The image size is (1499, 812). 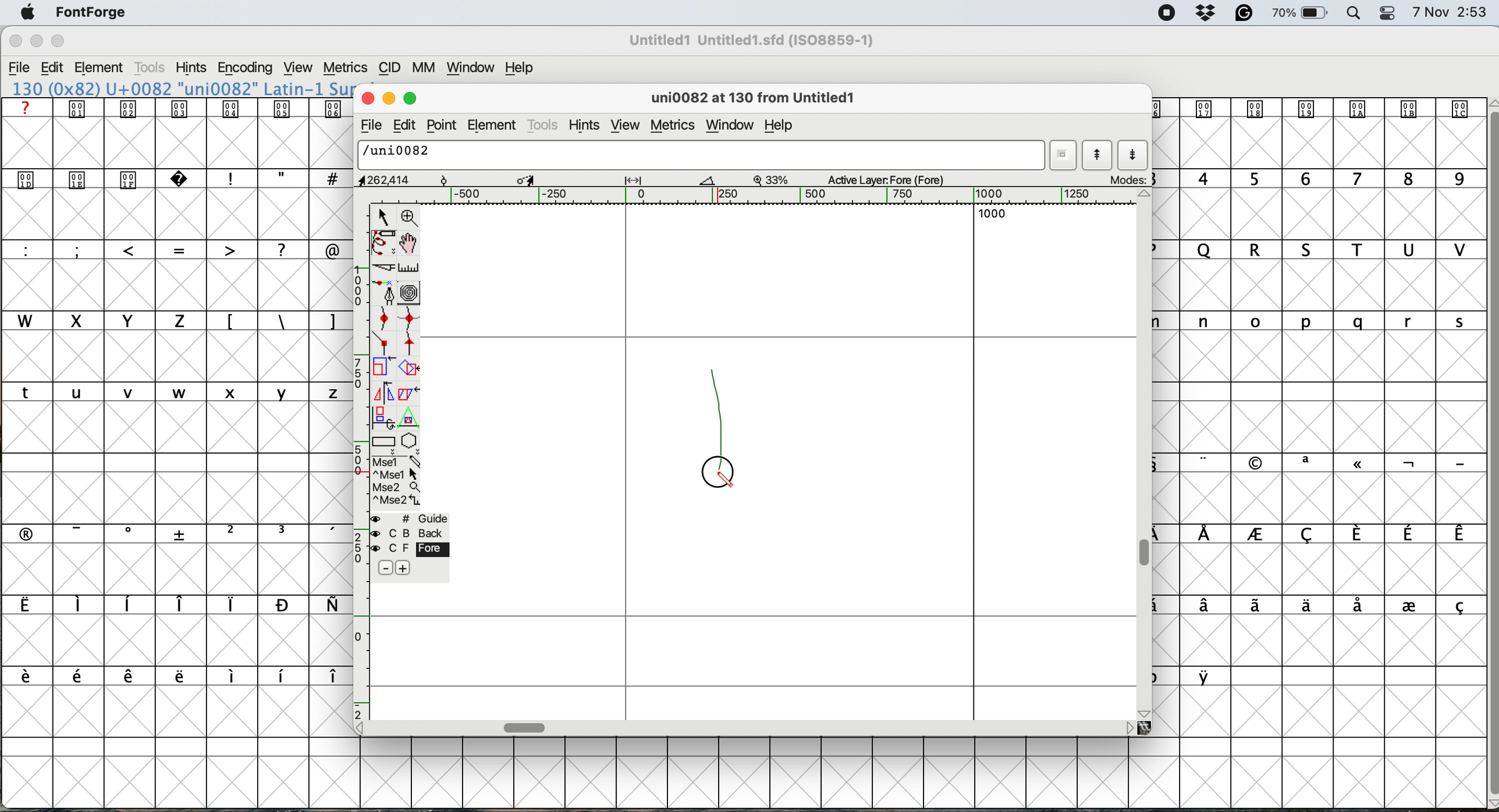 I want to click on view, so click(x=626, y=126).